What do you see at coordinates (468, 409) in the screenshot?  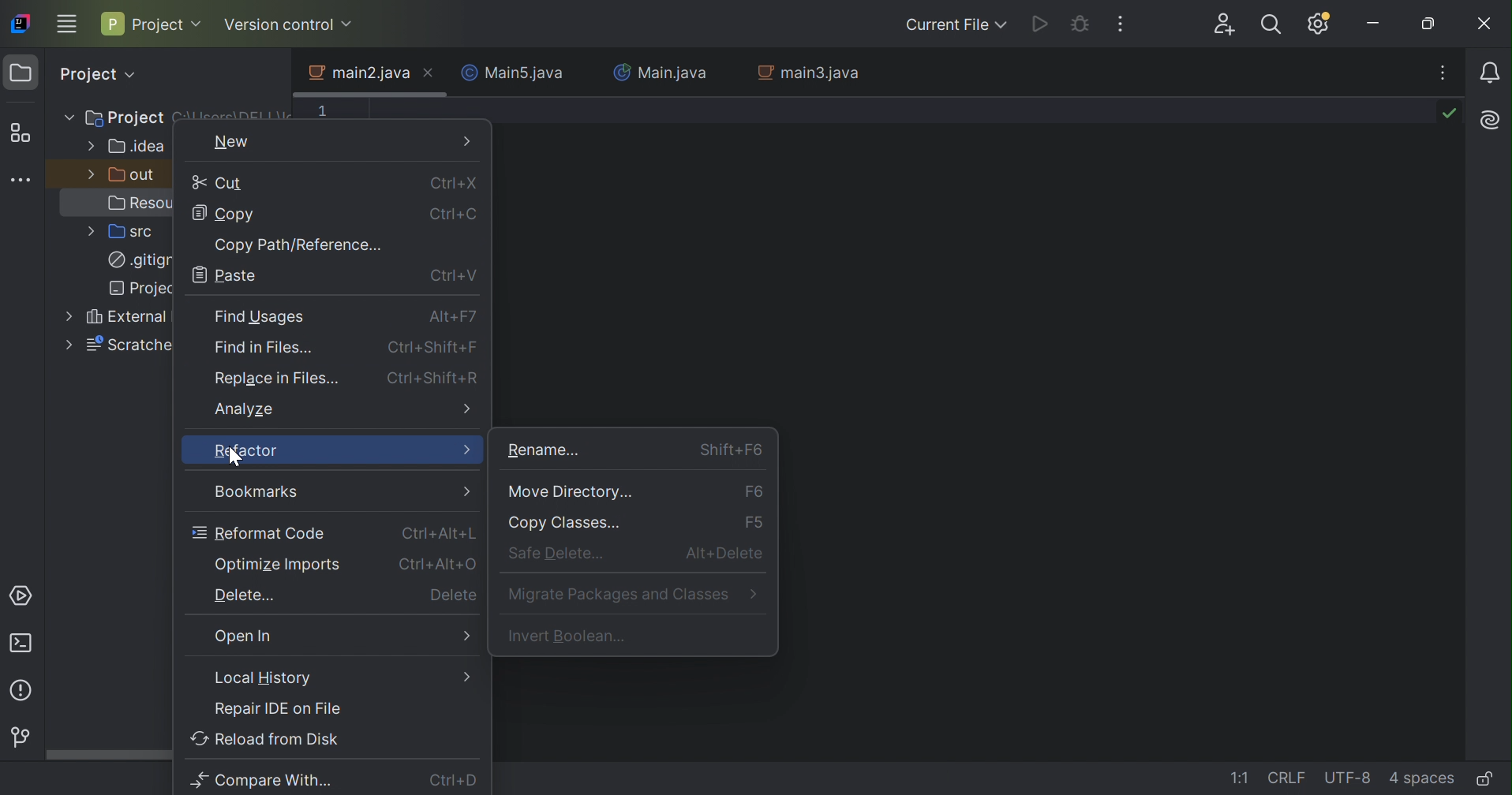 I see `More` at bounding box center [468, 409].